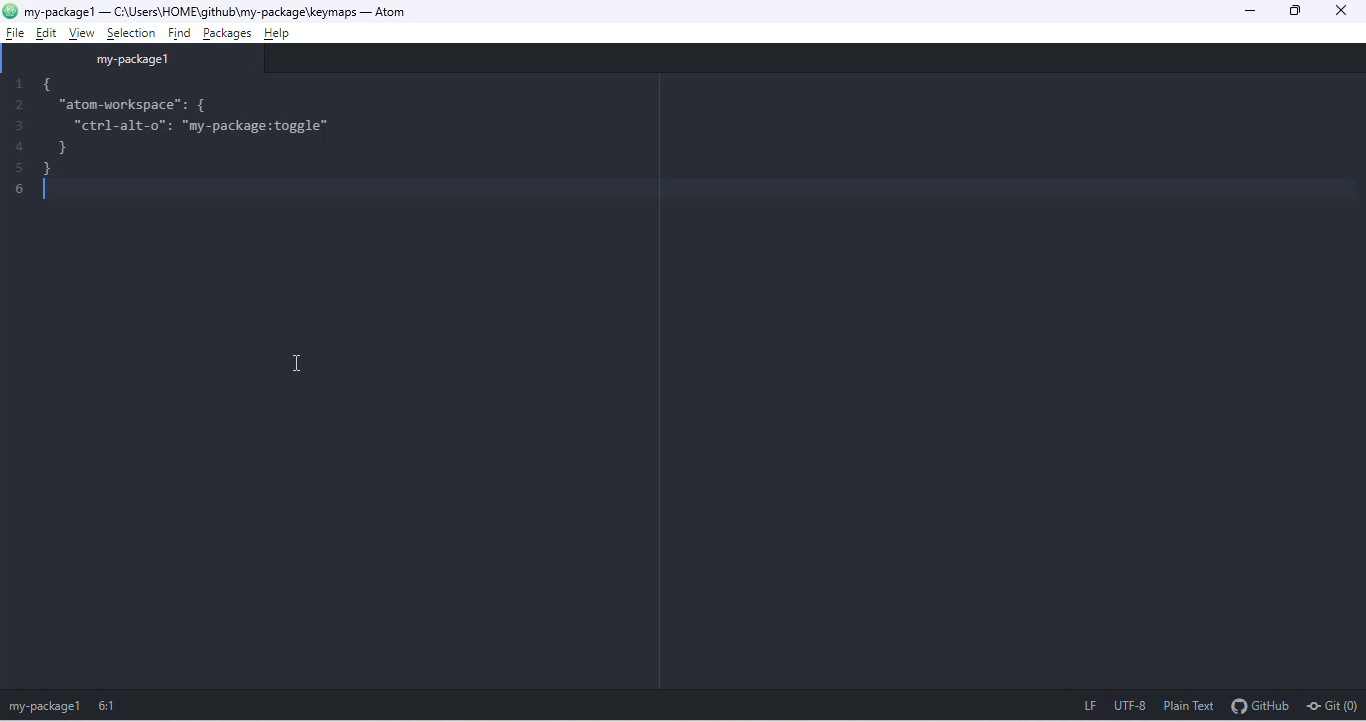  Describe the element at coordinates (110, 706) in the screenshot. I see `6:1` at that location.